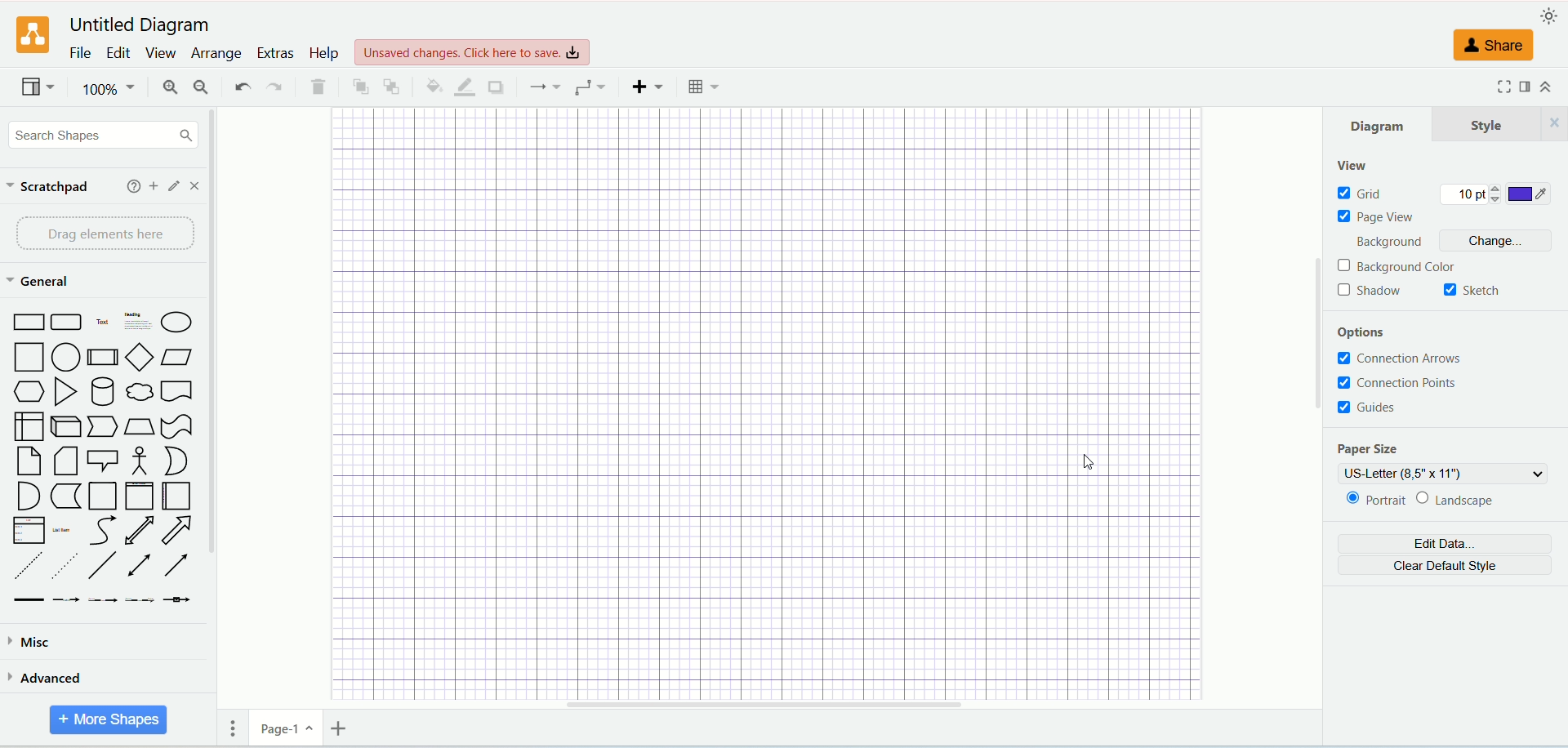 This screenshot has width=1568, height=748. I want to click on connection point, so click(1412, 385).